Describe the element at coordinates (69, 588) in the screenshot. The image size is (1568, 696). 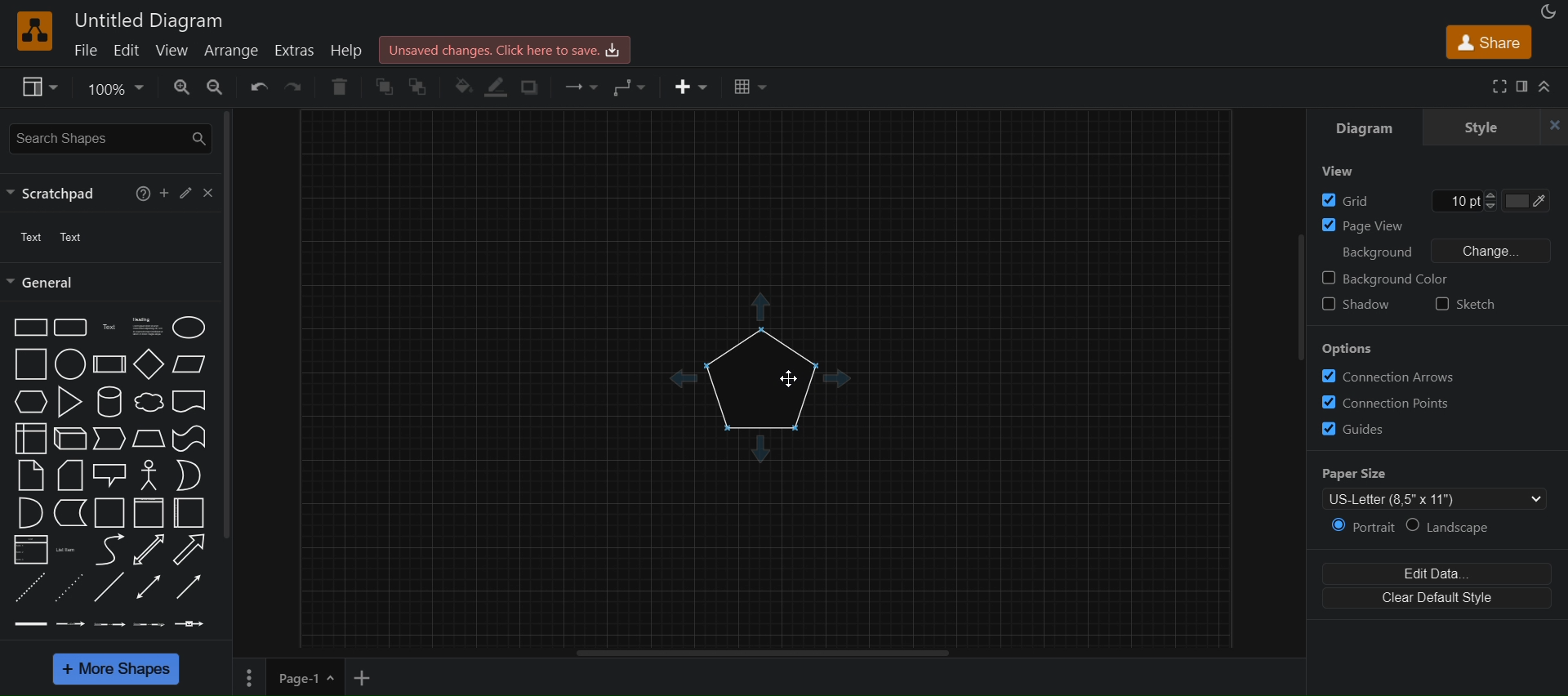
I see `Dotted line` at that location.